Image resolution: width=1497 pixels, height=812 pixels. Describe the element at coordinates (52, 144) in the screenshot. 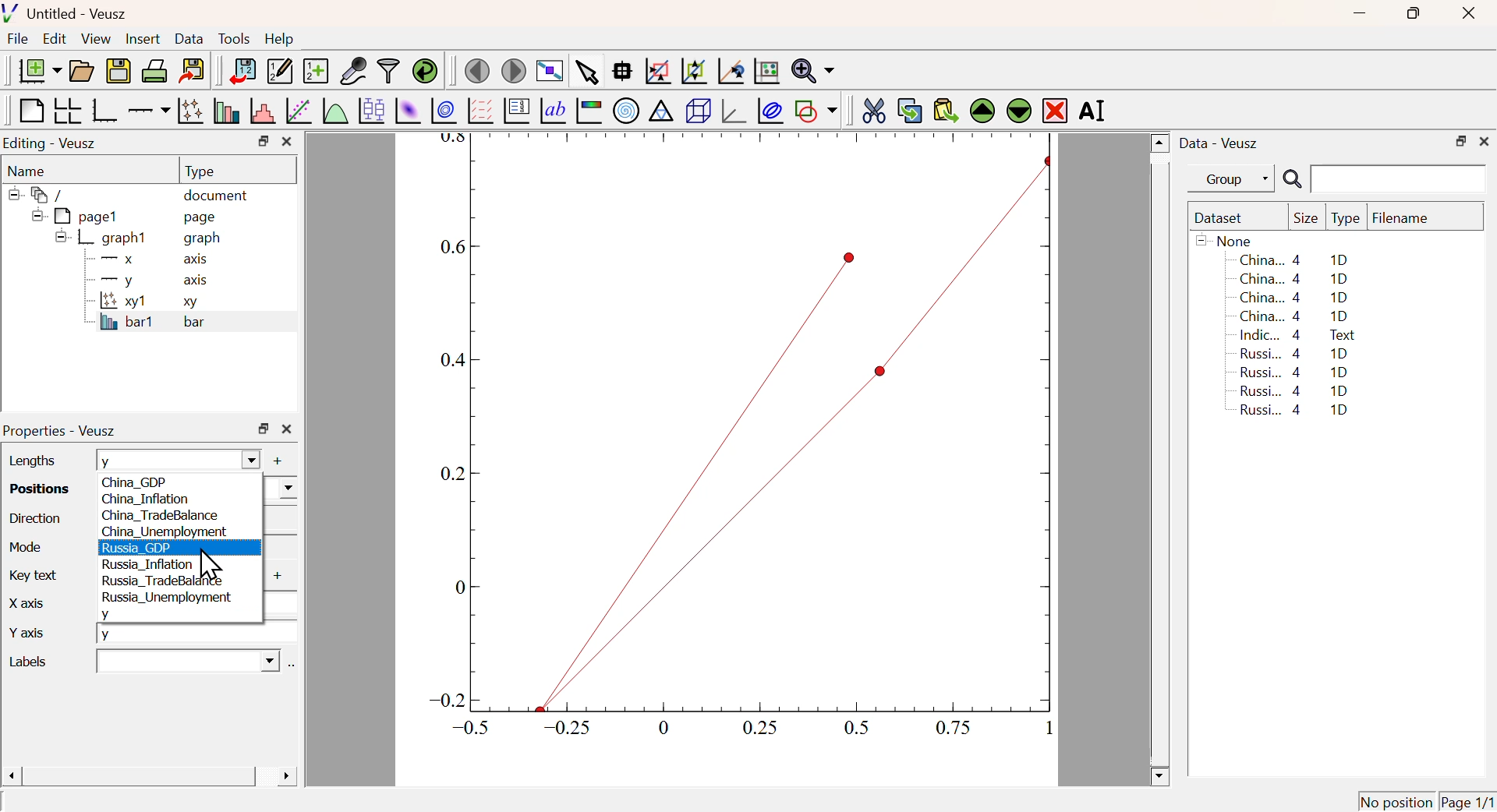

I see `Editing - Veusz` at that location.